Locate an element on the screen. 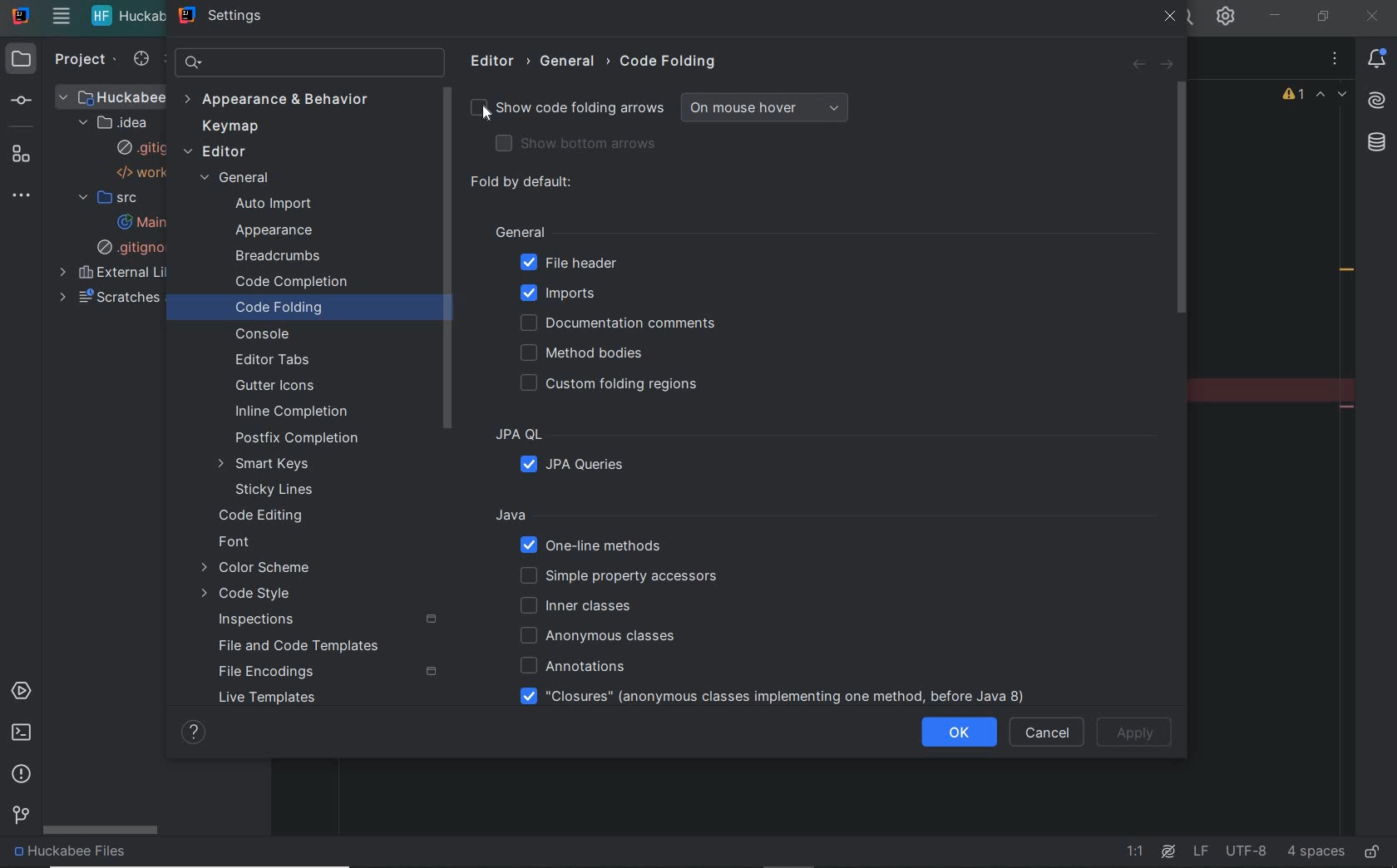 The width and height of the screenshot is (1397, 868). system name is located at coordinates (20, 16).